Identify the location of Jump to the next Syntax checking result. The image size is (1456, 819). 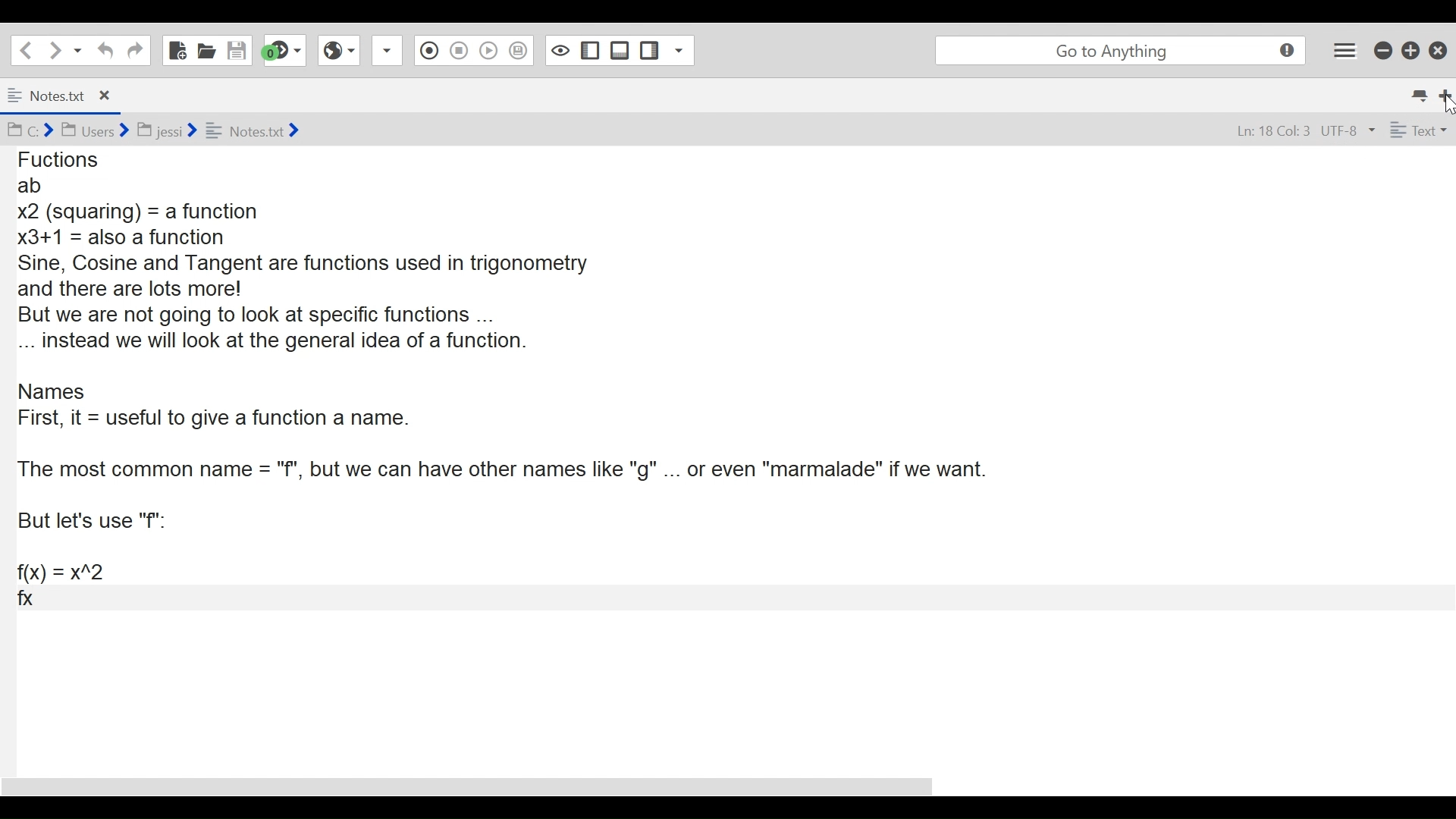
(284, 51).